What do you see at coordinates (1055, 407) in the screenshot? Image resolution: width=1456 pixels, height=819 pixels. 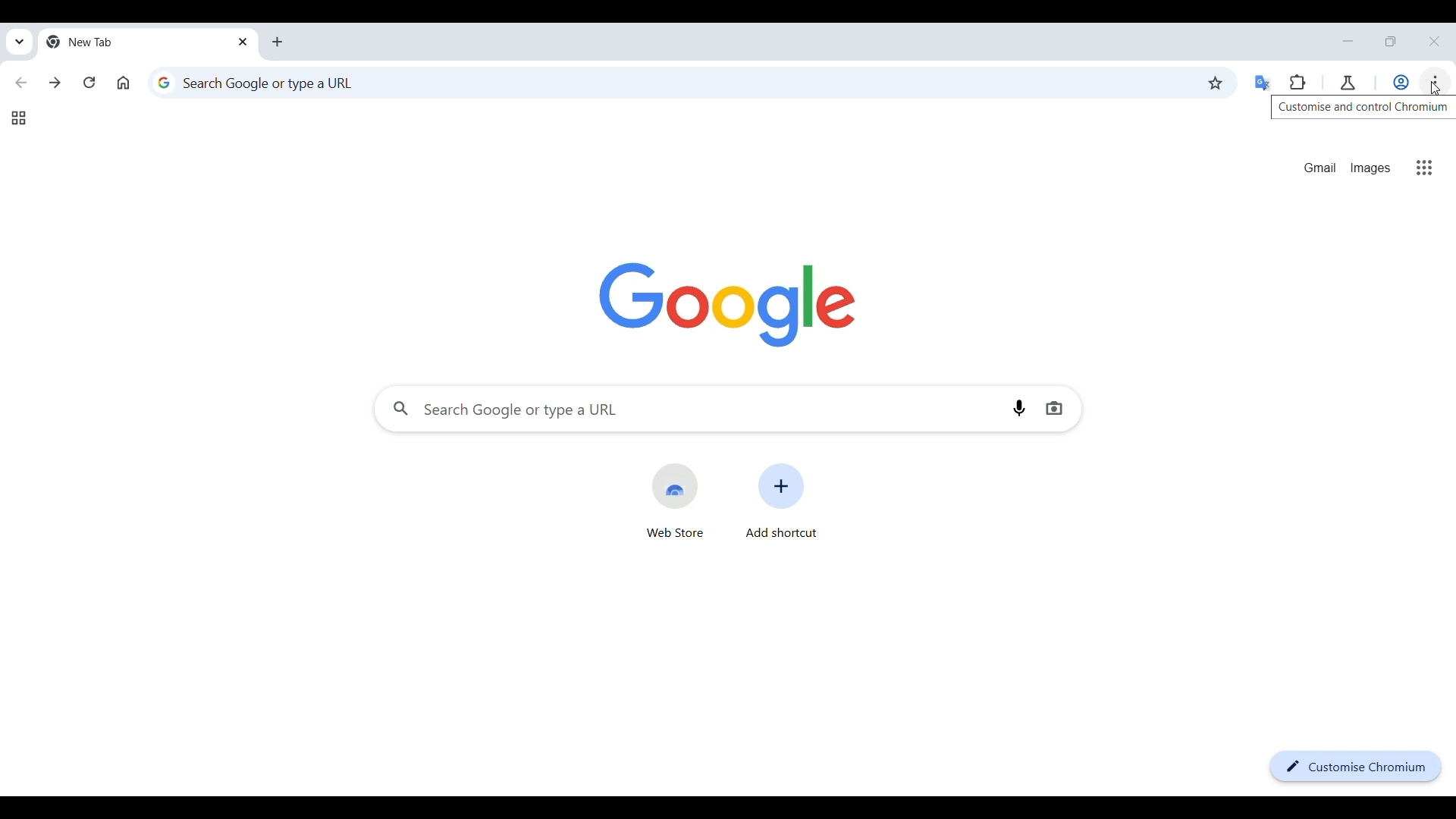 I see `Search by images` at bounding box center [1055, 407].